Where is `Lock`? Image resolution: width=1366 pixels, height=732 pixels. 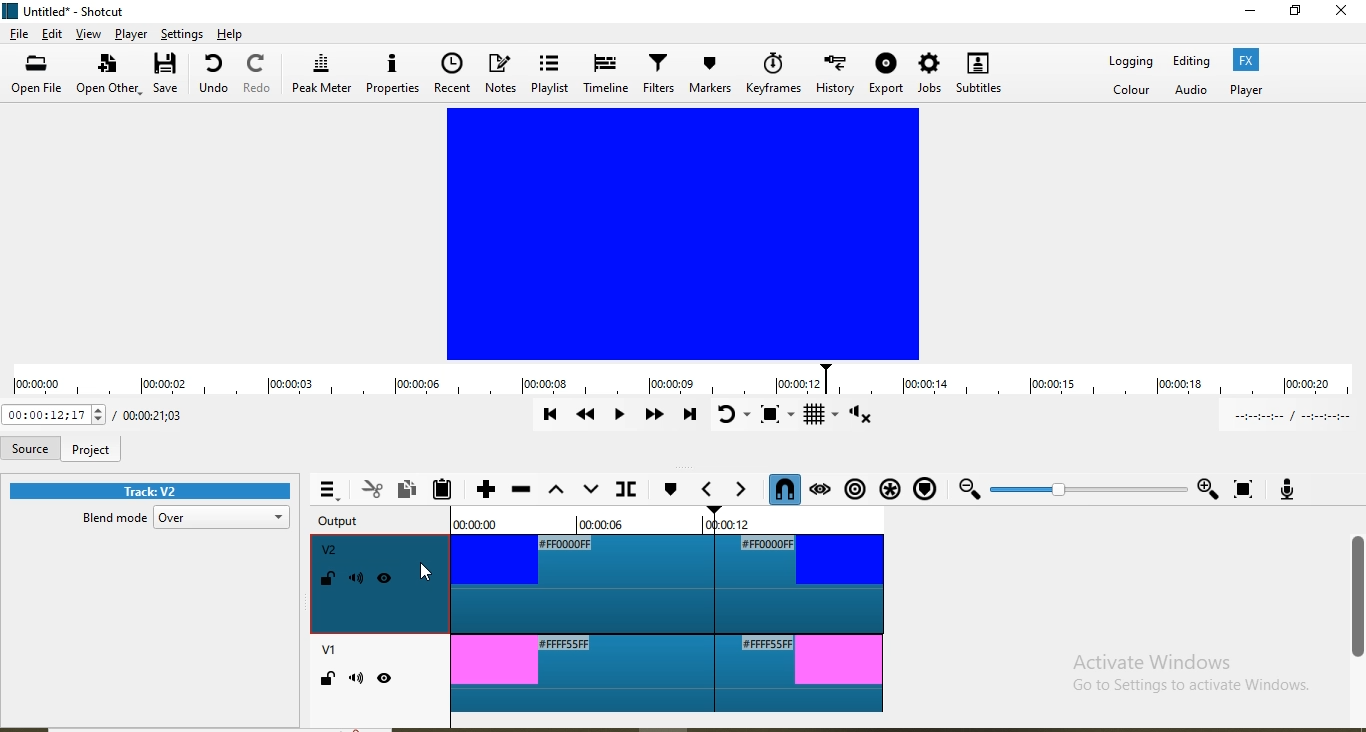 Lock is located at coordinates (327, 680).